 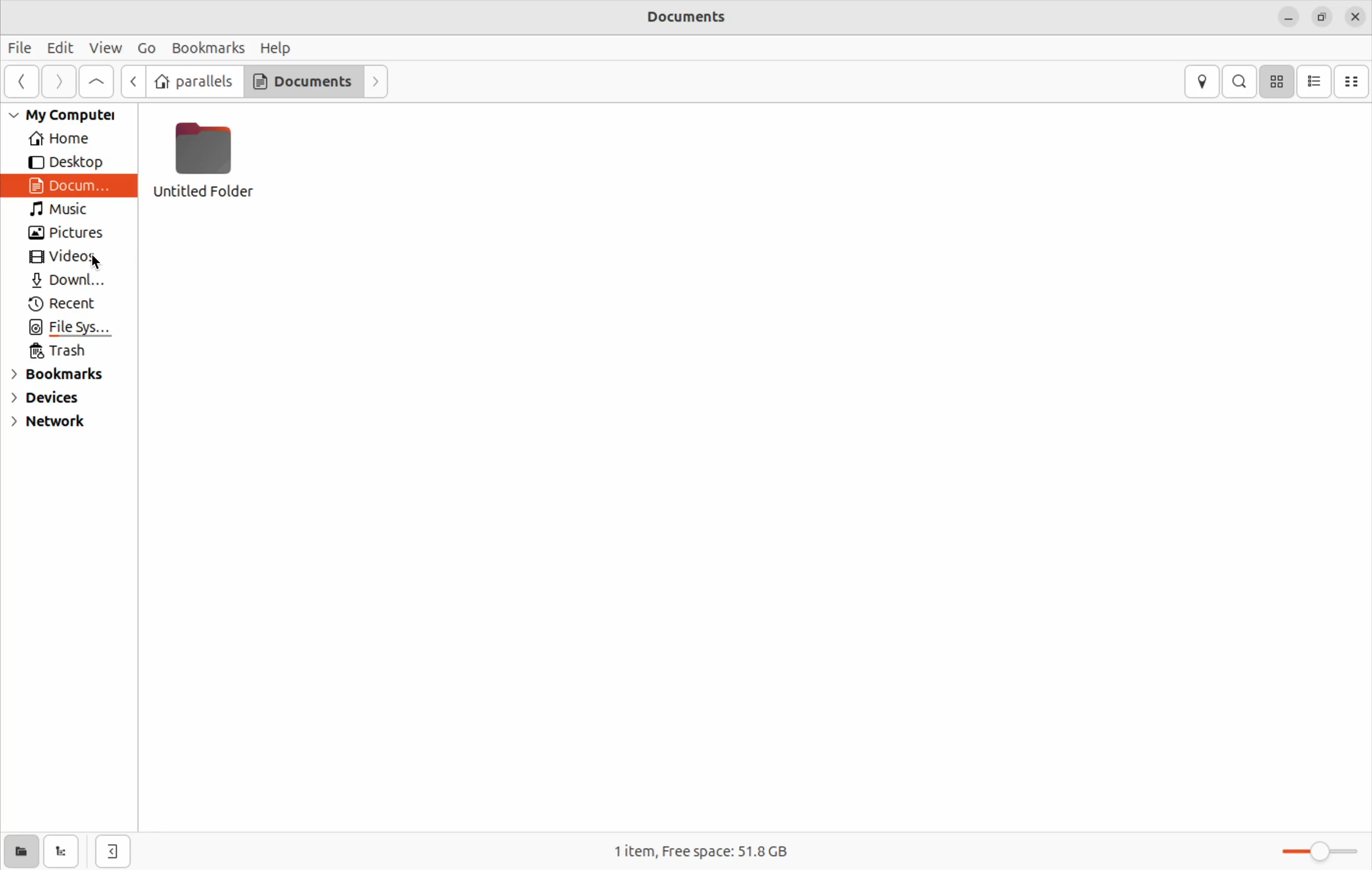 What do you see at coordinates (1324, 14) in the screenshot?
I see `resize` at bounding box center [1324, 14].